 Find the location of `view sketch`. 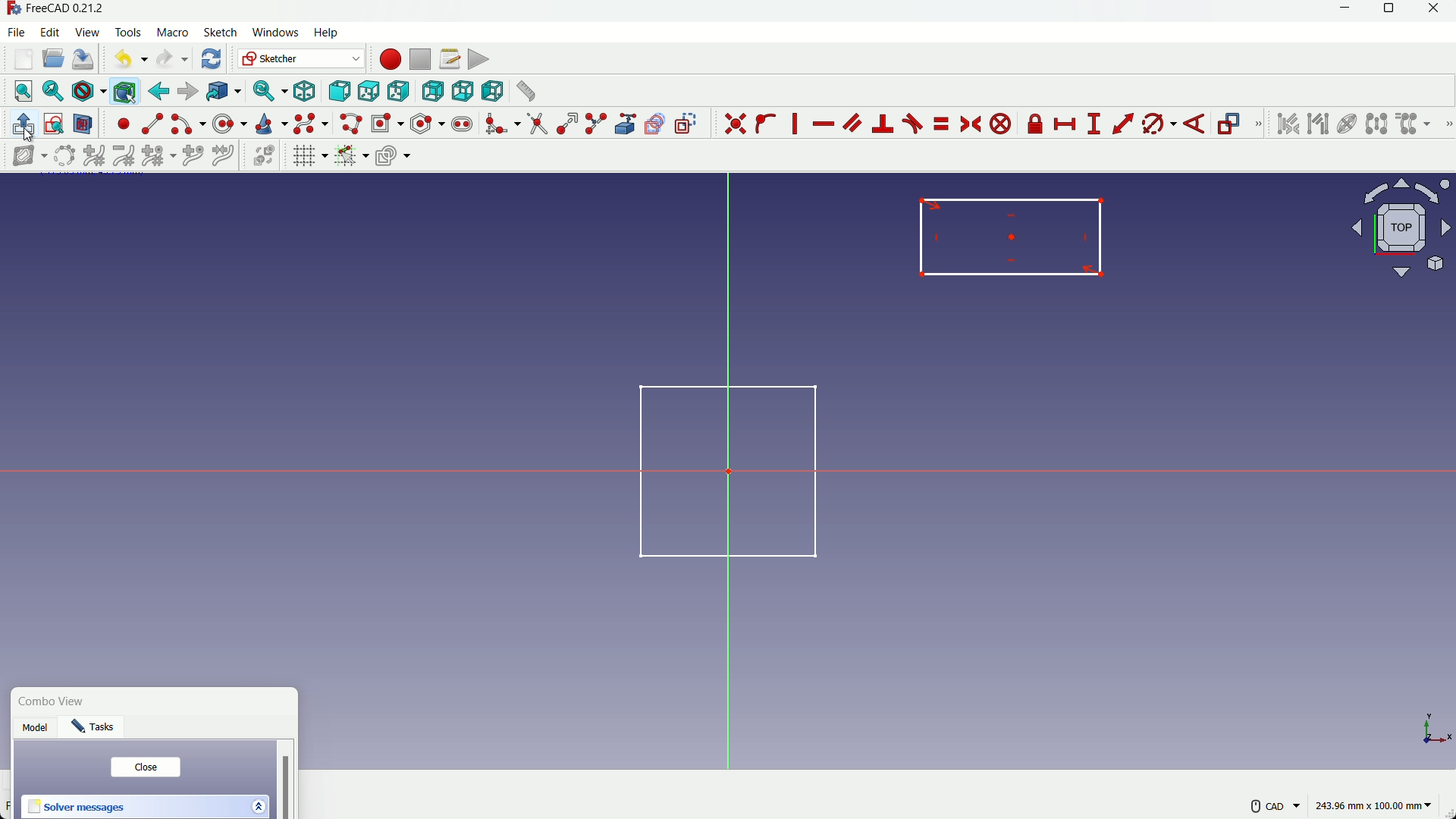

view sketch is located at coordinates (55, 125).